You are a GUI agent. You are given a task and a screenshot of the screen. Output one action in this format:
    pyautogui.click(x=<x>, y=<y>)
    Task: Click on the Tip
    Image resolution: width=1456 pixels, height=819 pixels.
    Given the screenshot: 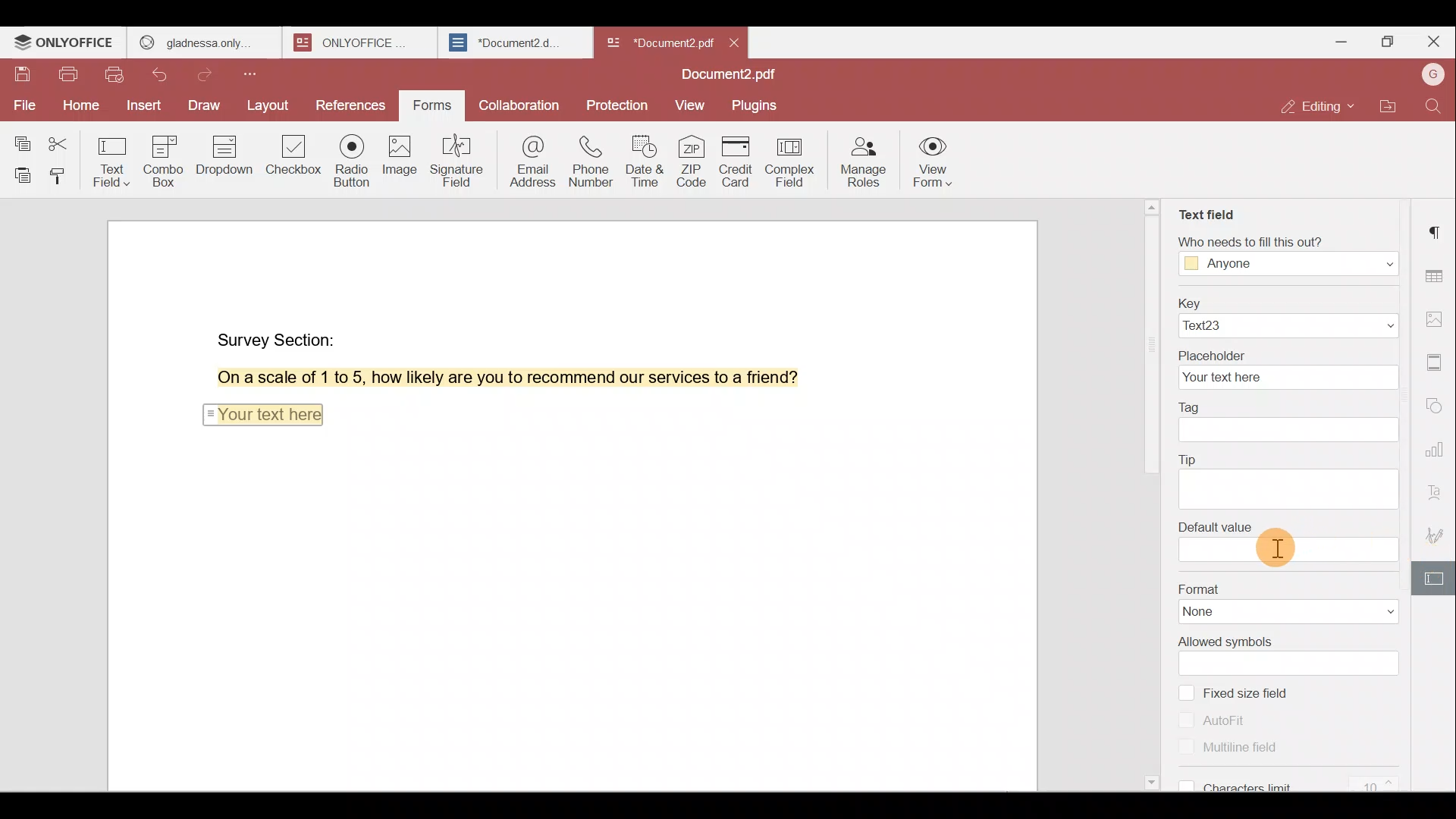 What is the action you would take?
    pyautogui.click(x=1293, y=477)
    